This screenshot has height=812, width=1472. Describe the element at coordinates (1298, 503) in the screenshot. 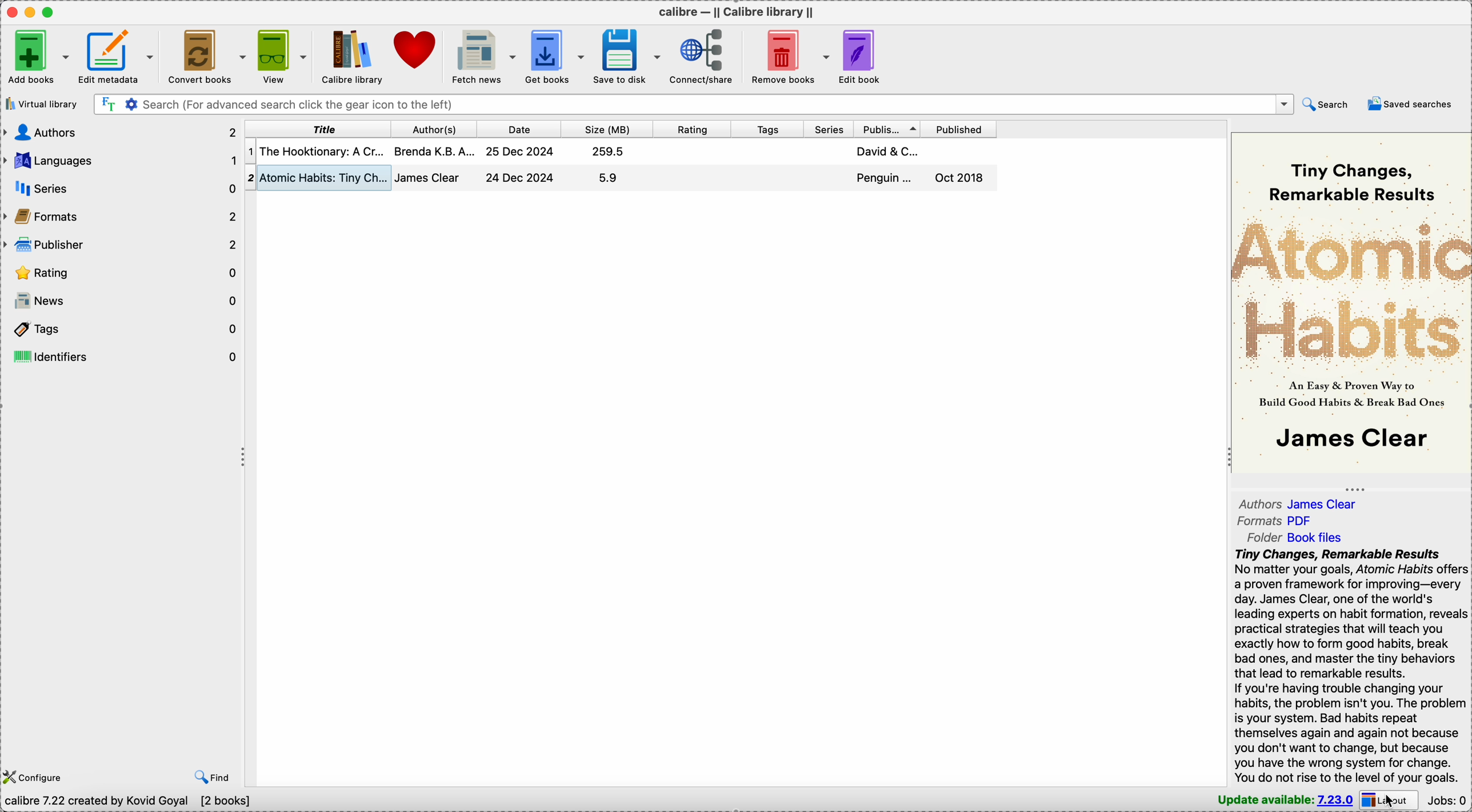

I see `authors james clear` at that location.